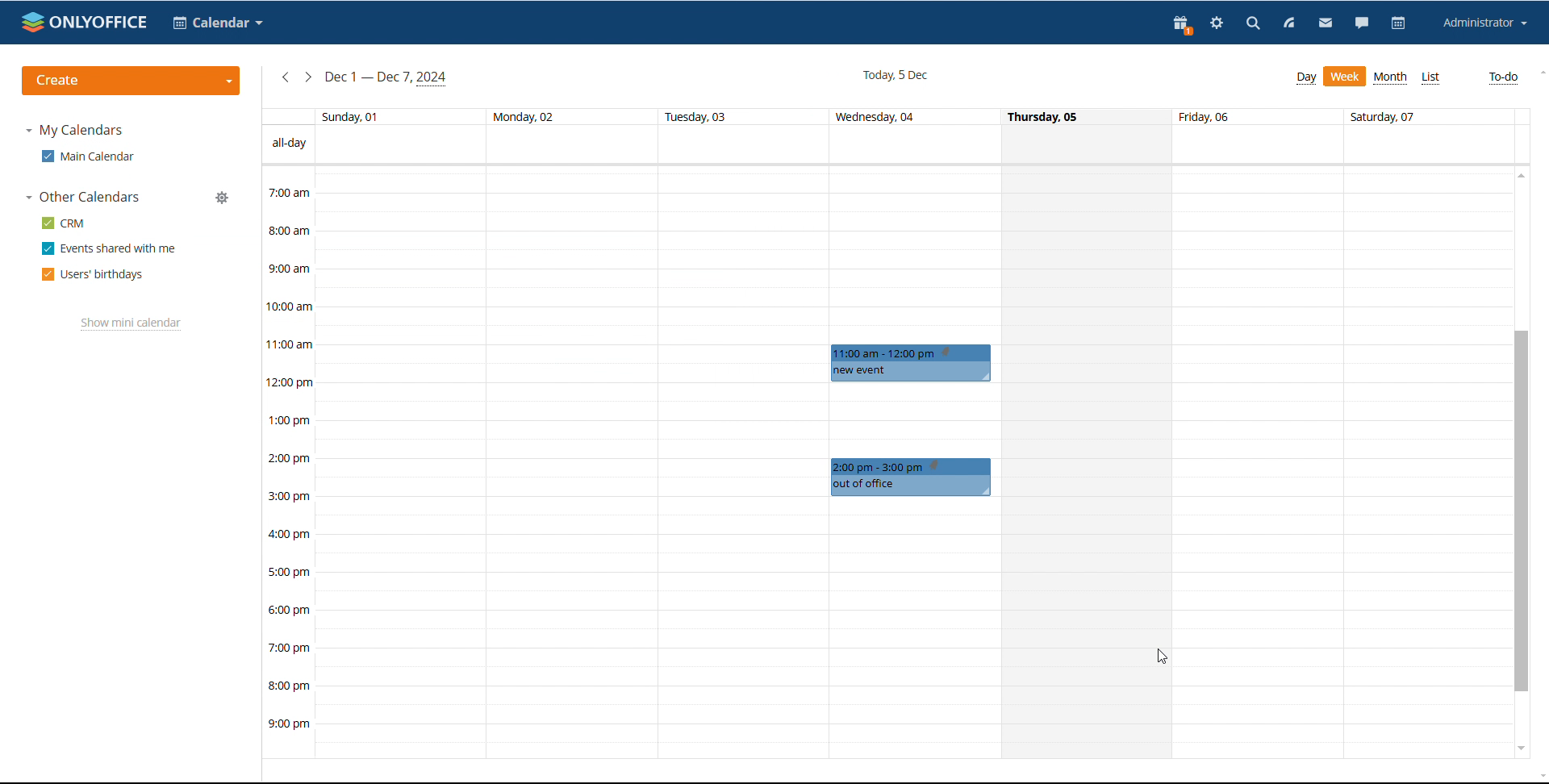 Image resolution: width=1549 pixels, height=784 pixels. Describe the element at coordinates (1346, 77) in the screenshot. I see `week view` at that location.